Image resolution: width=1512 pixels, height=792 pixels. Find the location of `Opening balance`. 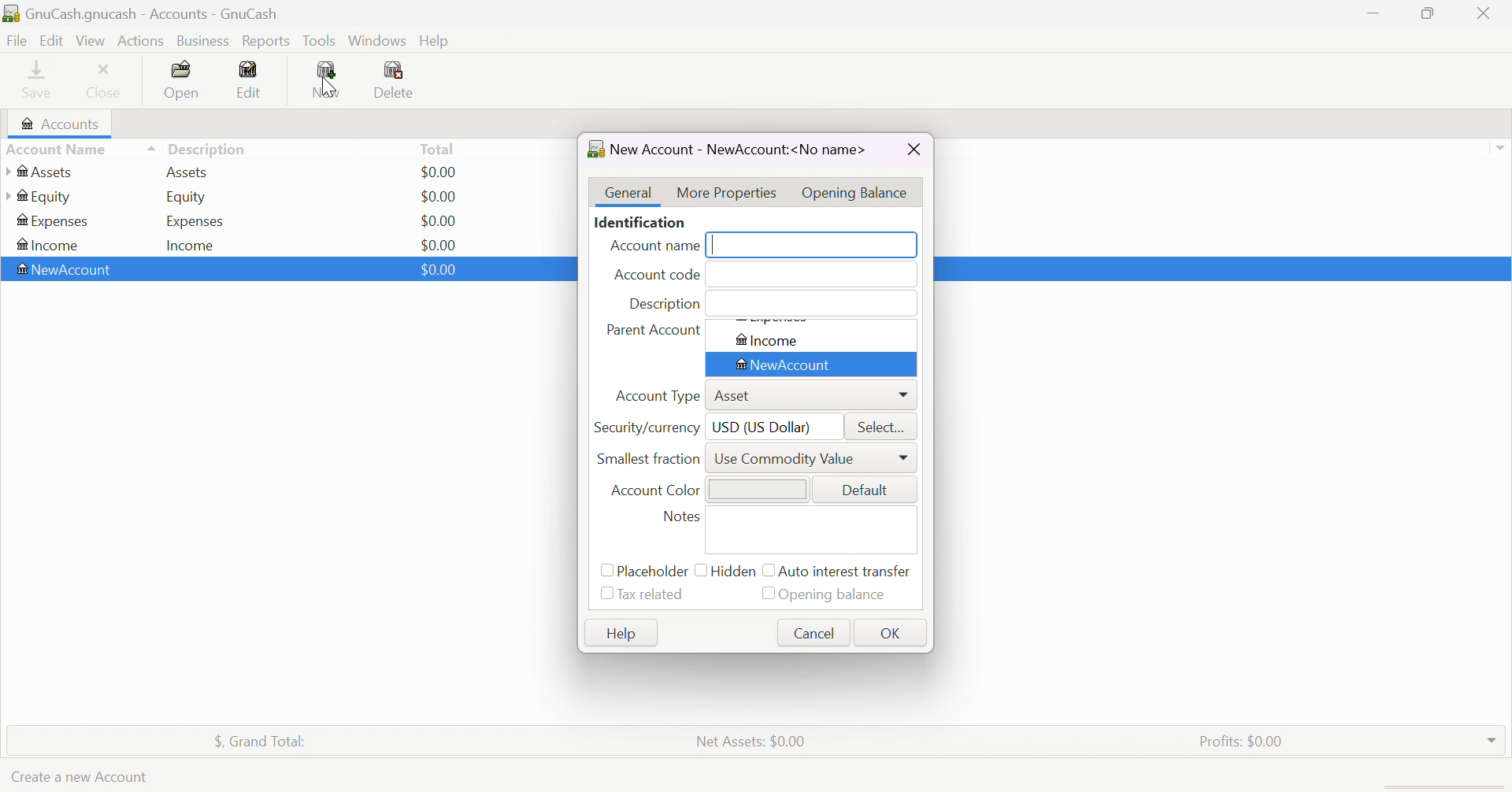

Opening balance is located at coordinates (837, 596).